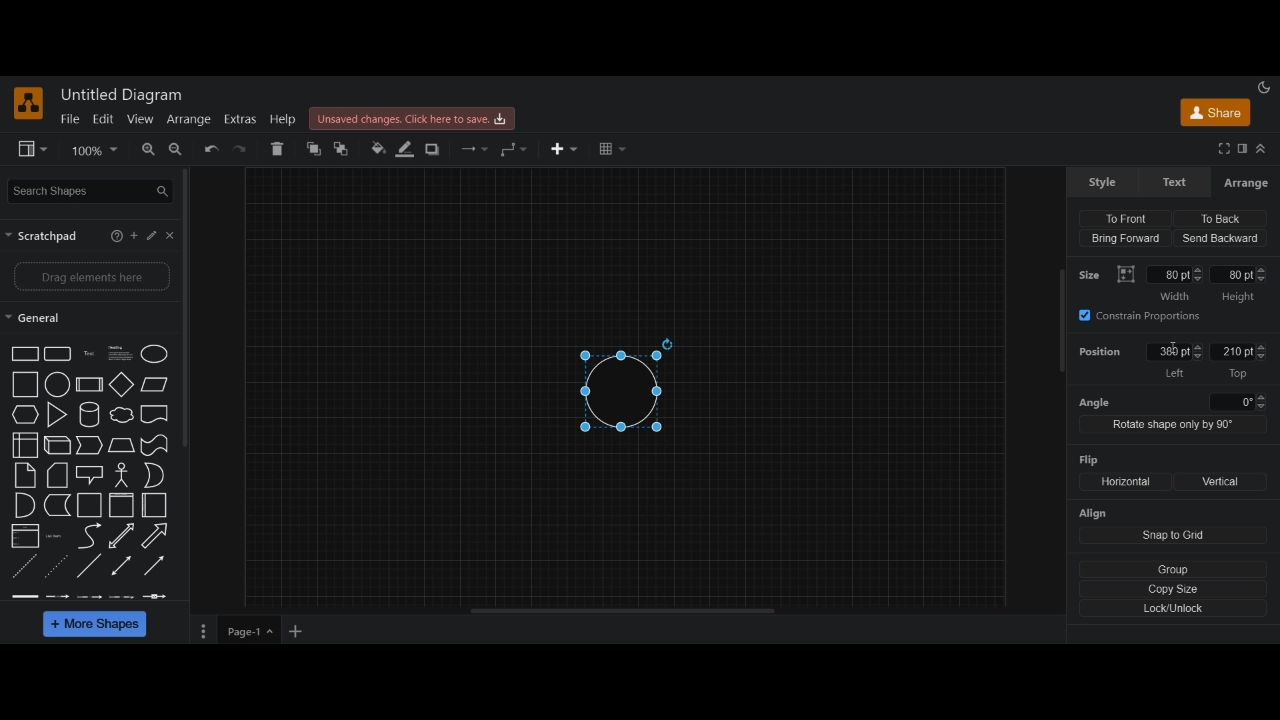  I want to click on horizontall scroll bar, so click(625, 611).